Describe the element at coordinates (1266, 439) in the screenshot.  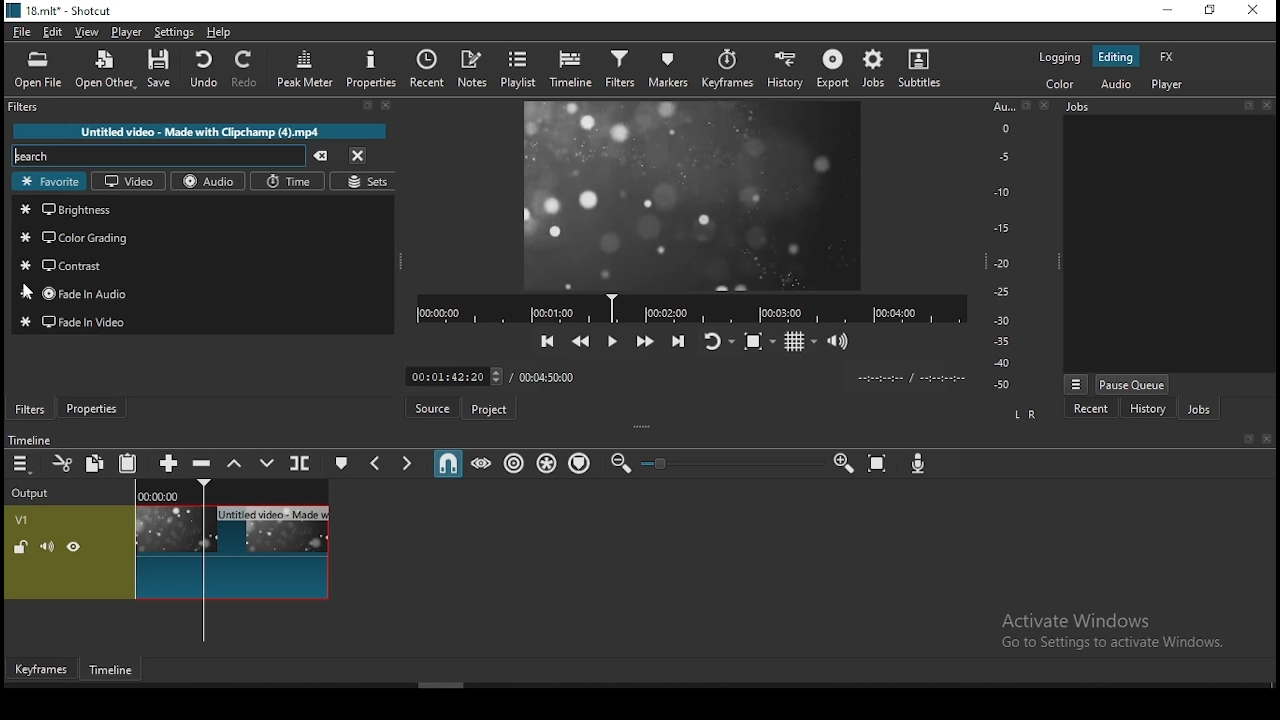
I see `Close` at that location.